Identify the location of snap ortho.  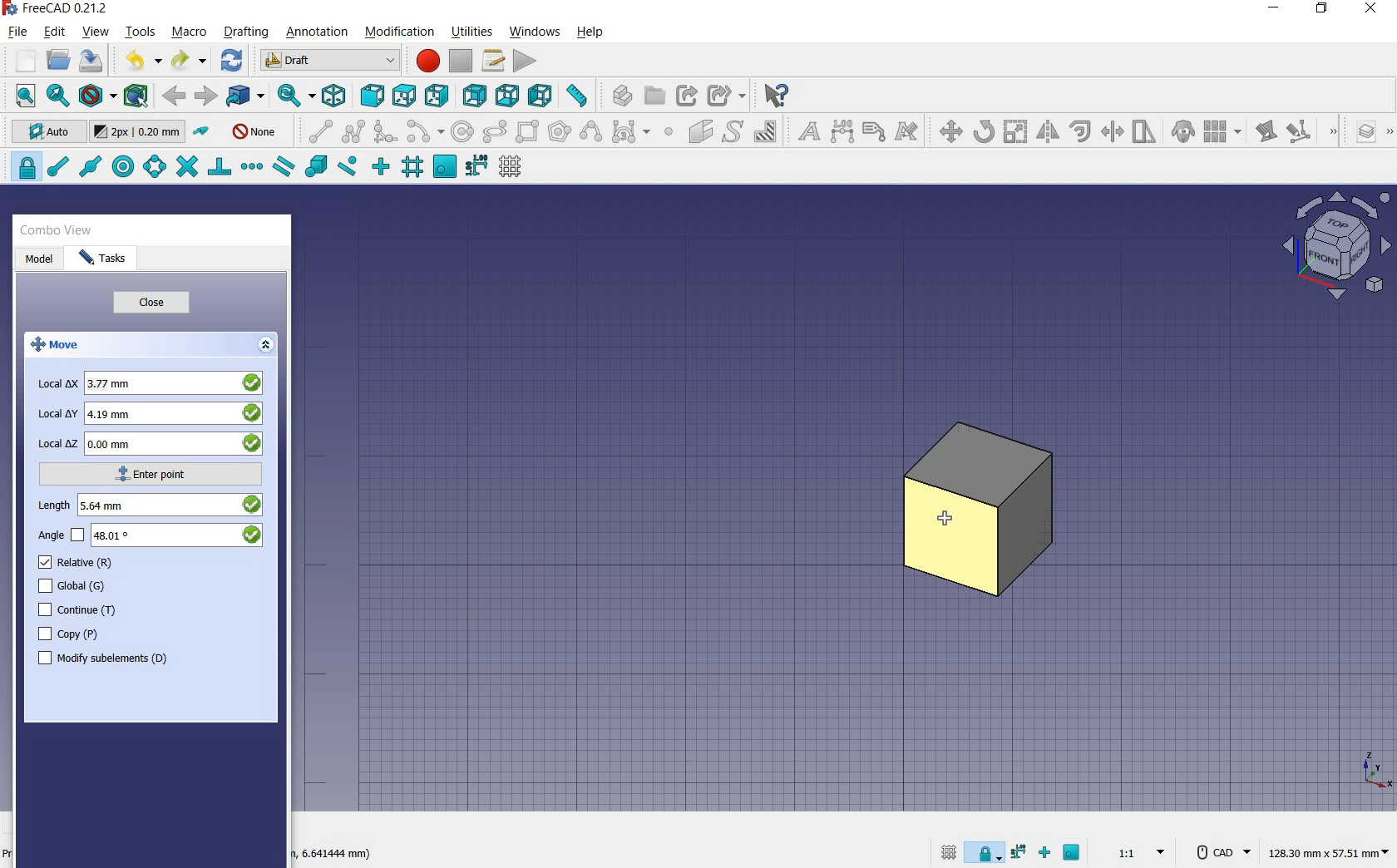
(1045, 854).